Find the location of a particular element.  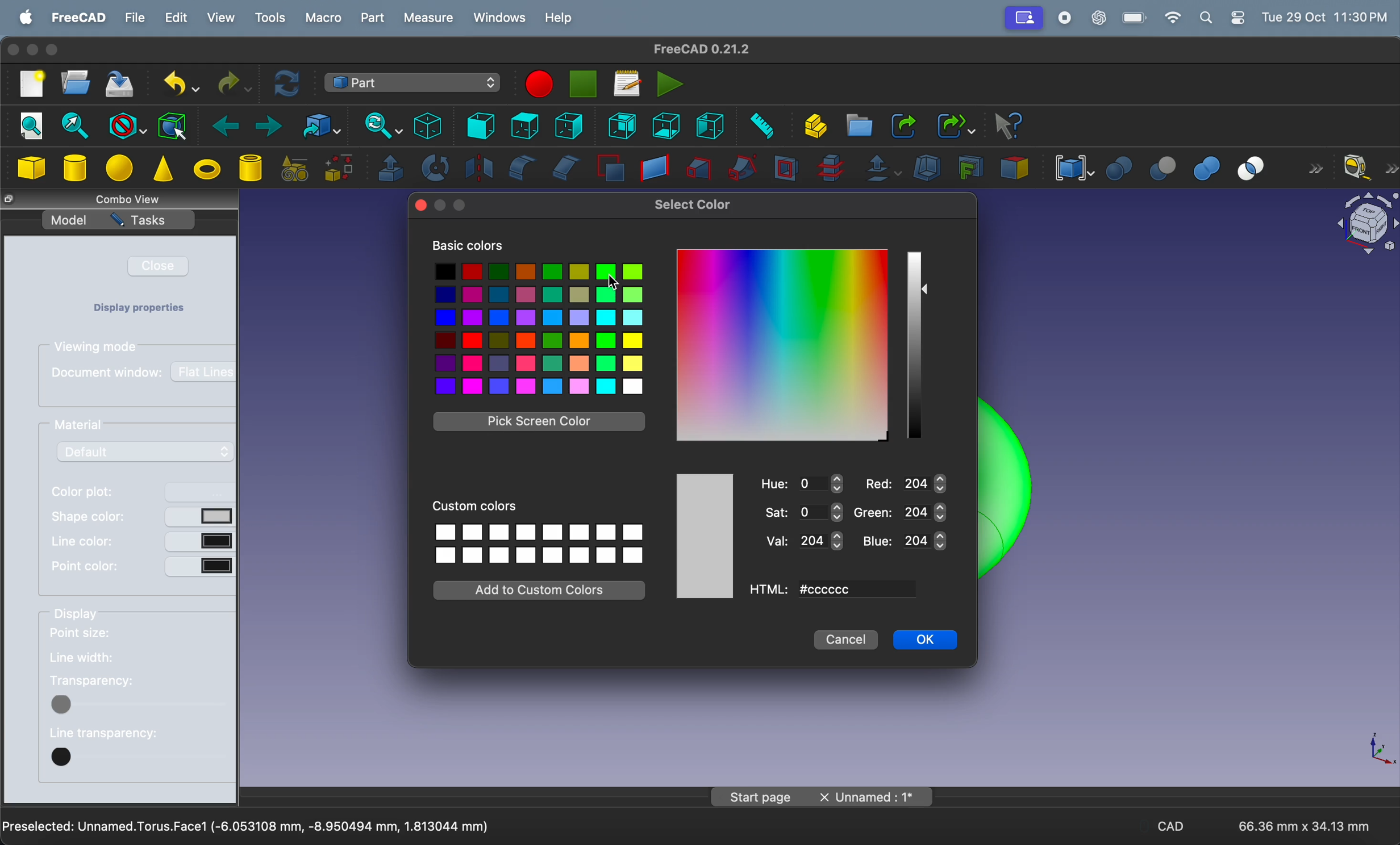

forward is located at coordinates (1314, 167).